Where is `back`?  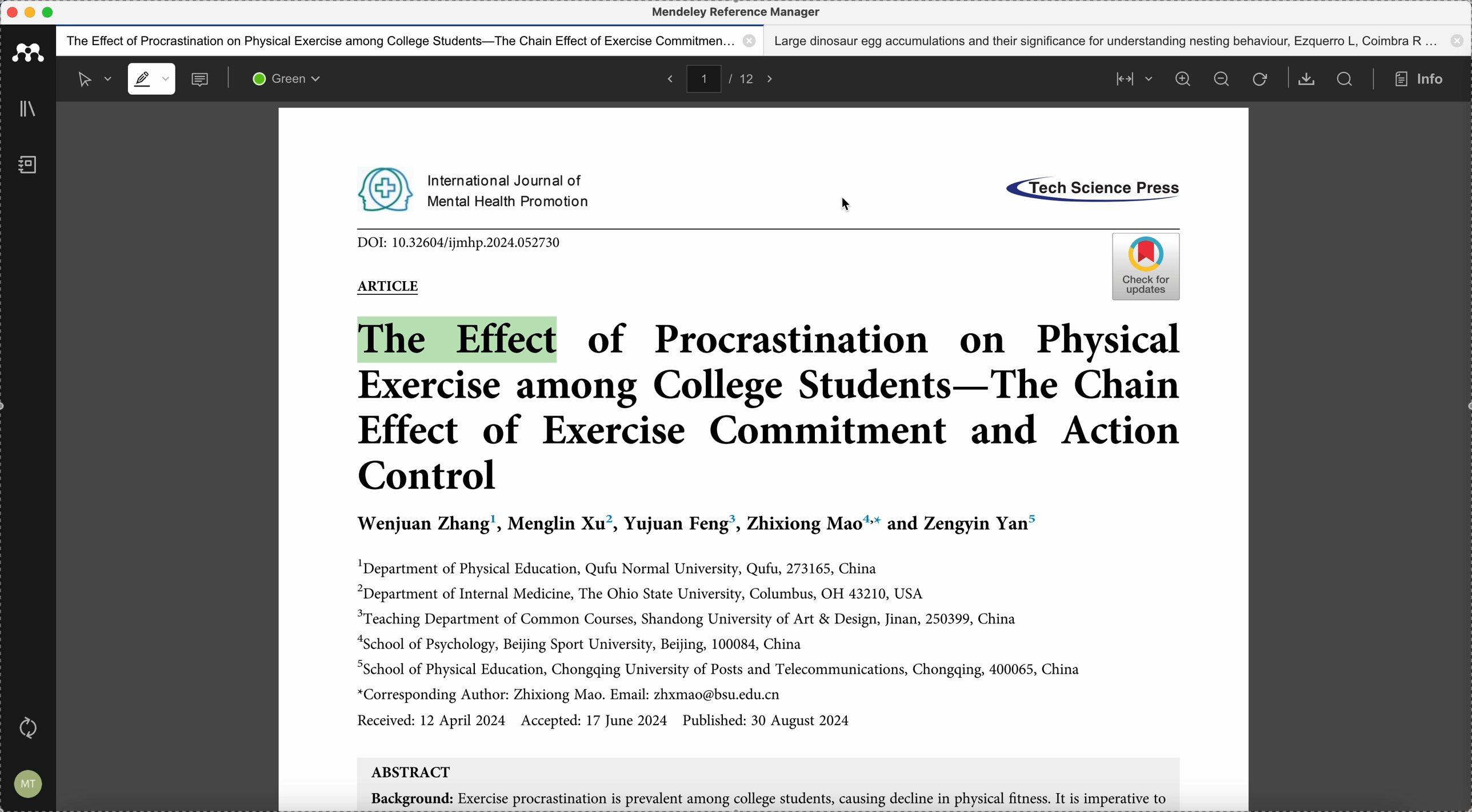
back is located at coordinates (668, 78).